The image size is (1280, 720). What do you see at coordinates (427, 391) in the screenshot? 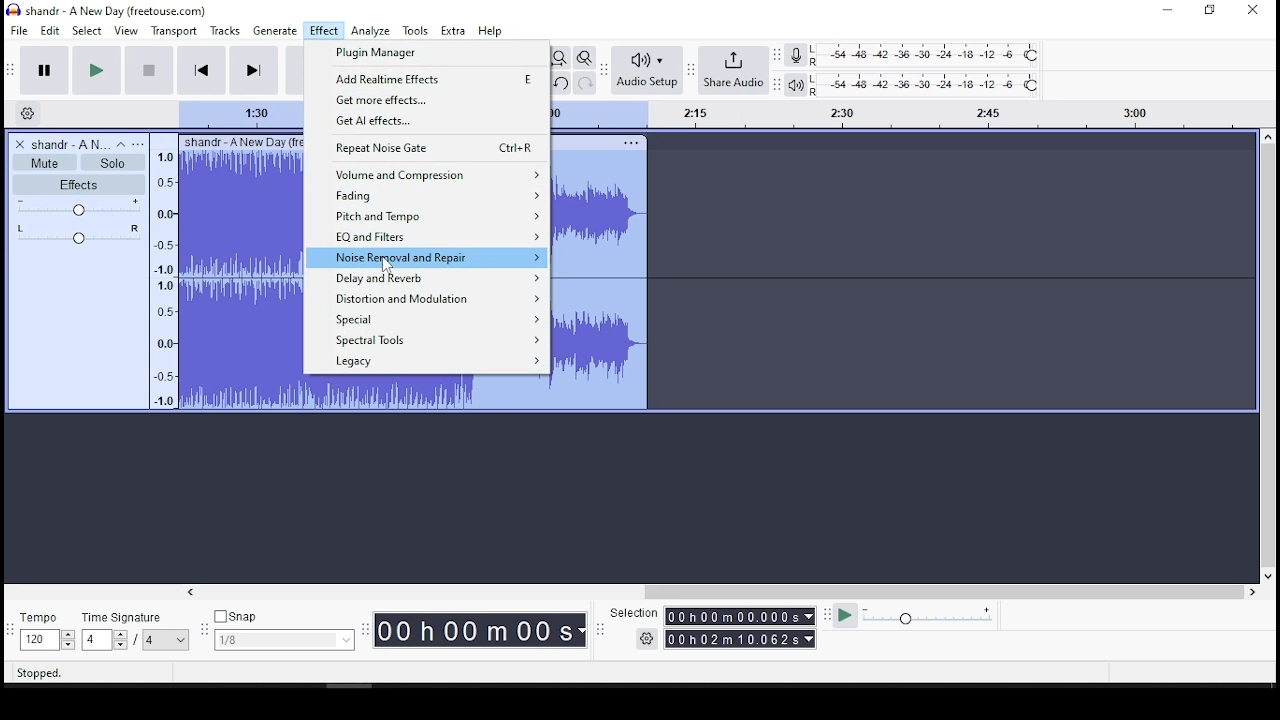
I see `audio track` at bounding box center [427, 391].